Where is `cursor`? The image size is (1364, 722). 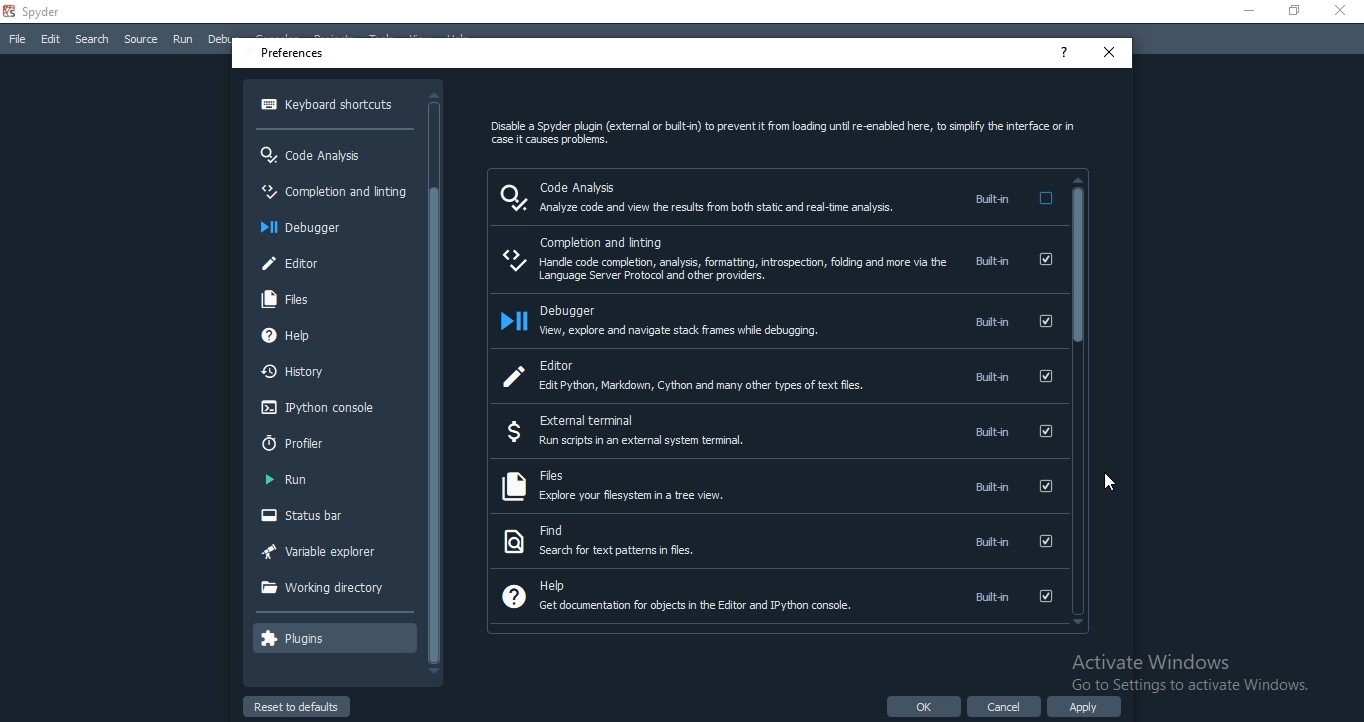
cursor is located at coordinates (1113, 483).